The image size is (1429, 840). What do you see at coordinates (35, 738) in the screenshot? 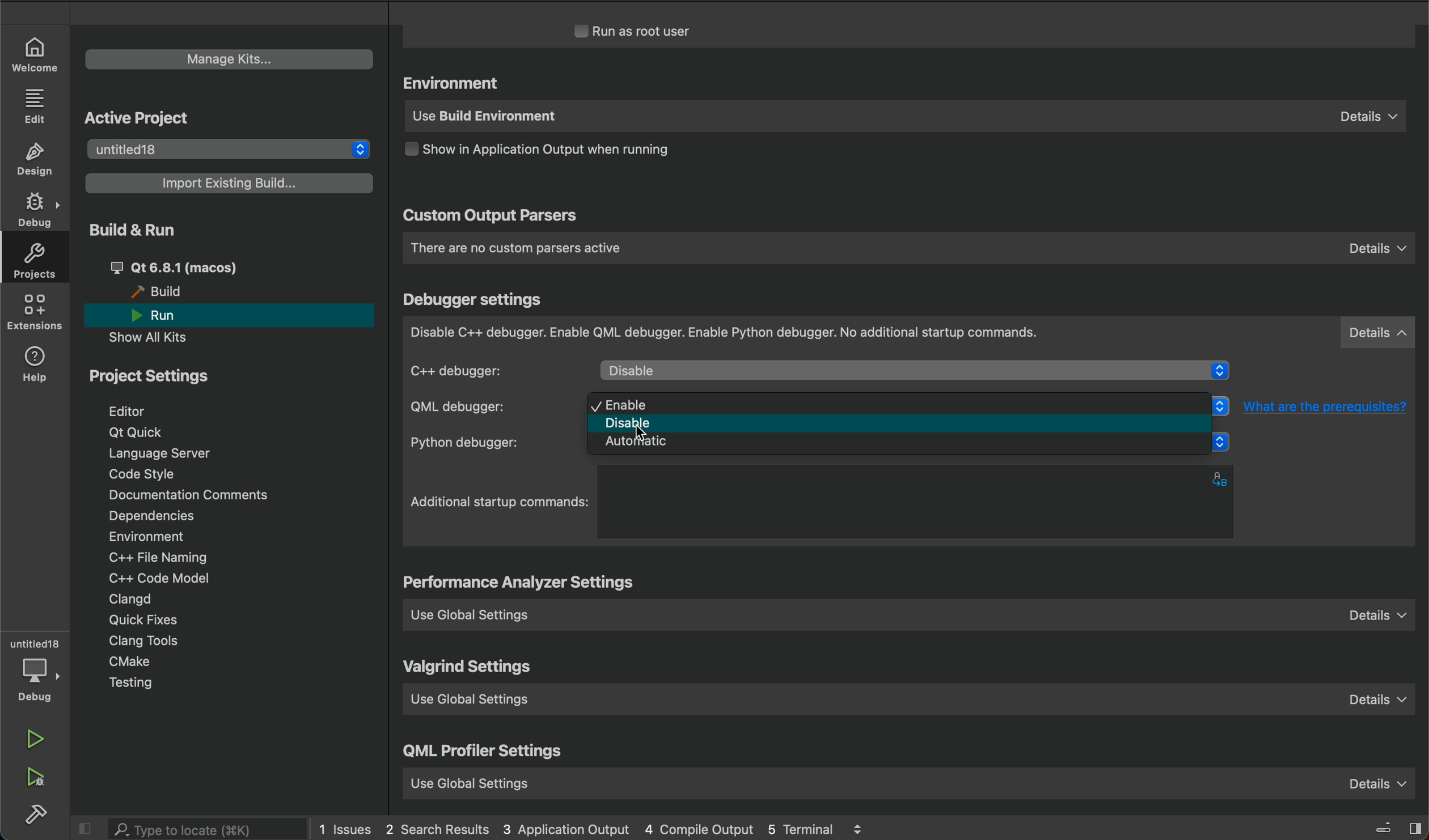
I see `run` at bounding box center [35, 738].